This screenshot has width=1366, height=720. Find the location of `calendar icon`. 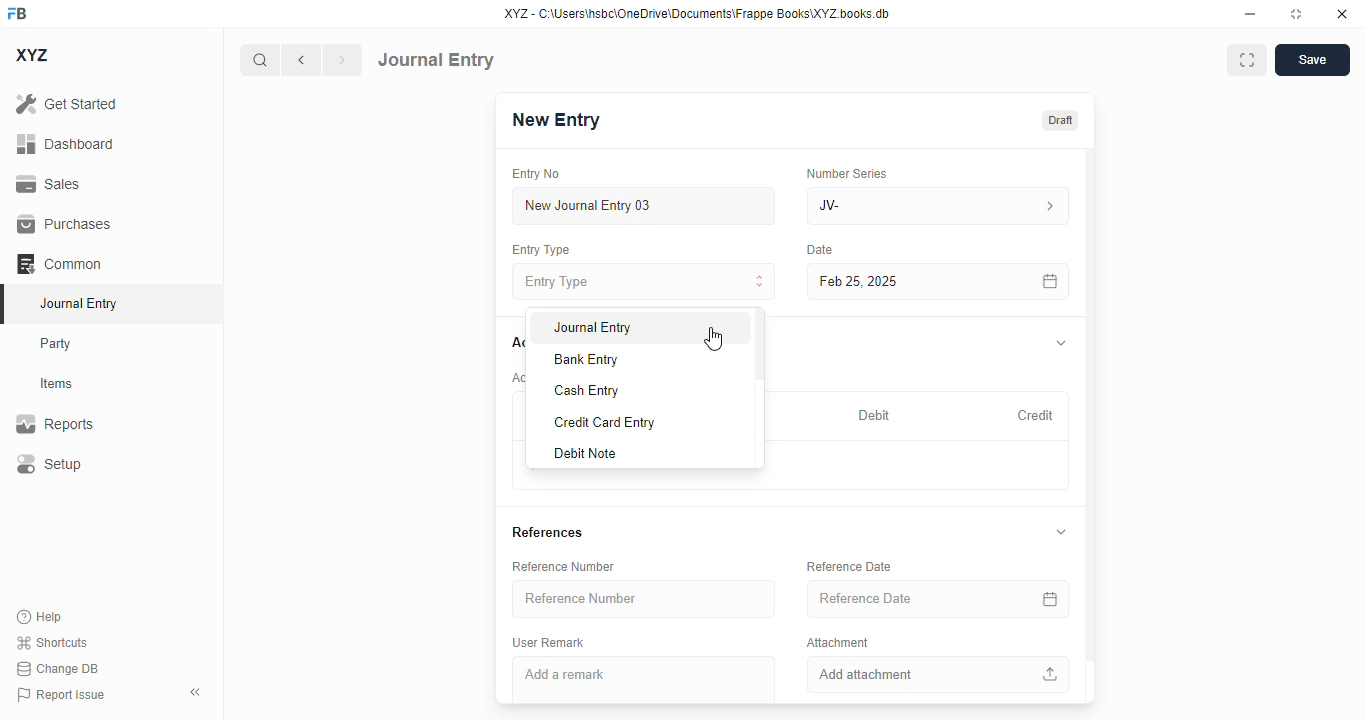

calendar icon is located at coordinates (1051, 282).